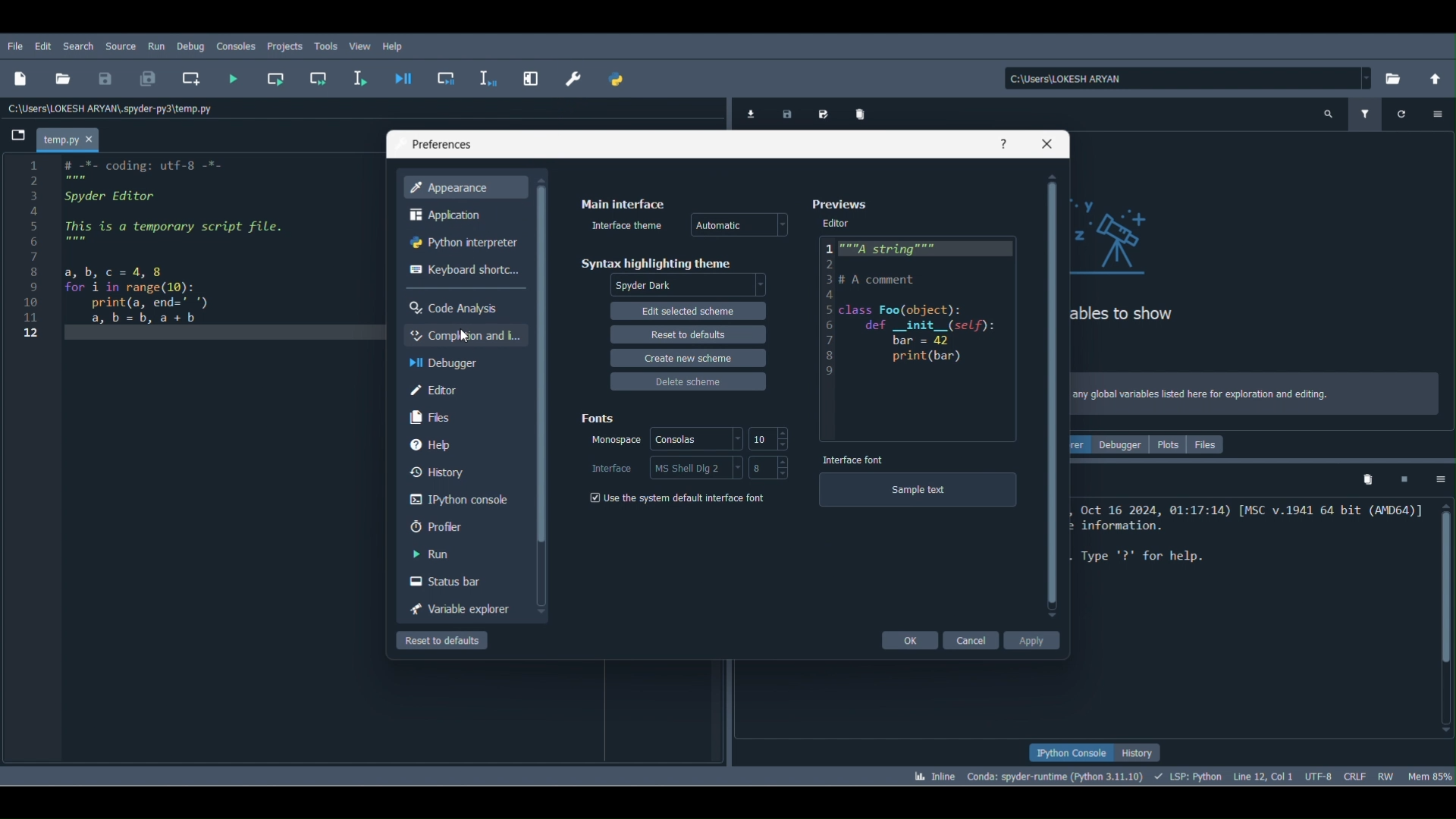 The height and width of the screenshot is (819, 1456). Describe the element at coordinates (843, 201) in the screenshot. I see `Preferences` at that location.